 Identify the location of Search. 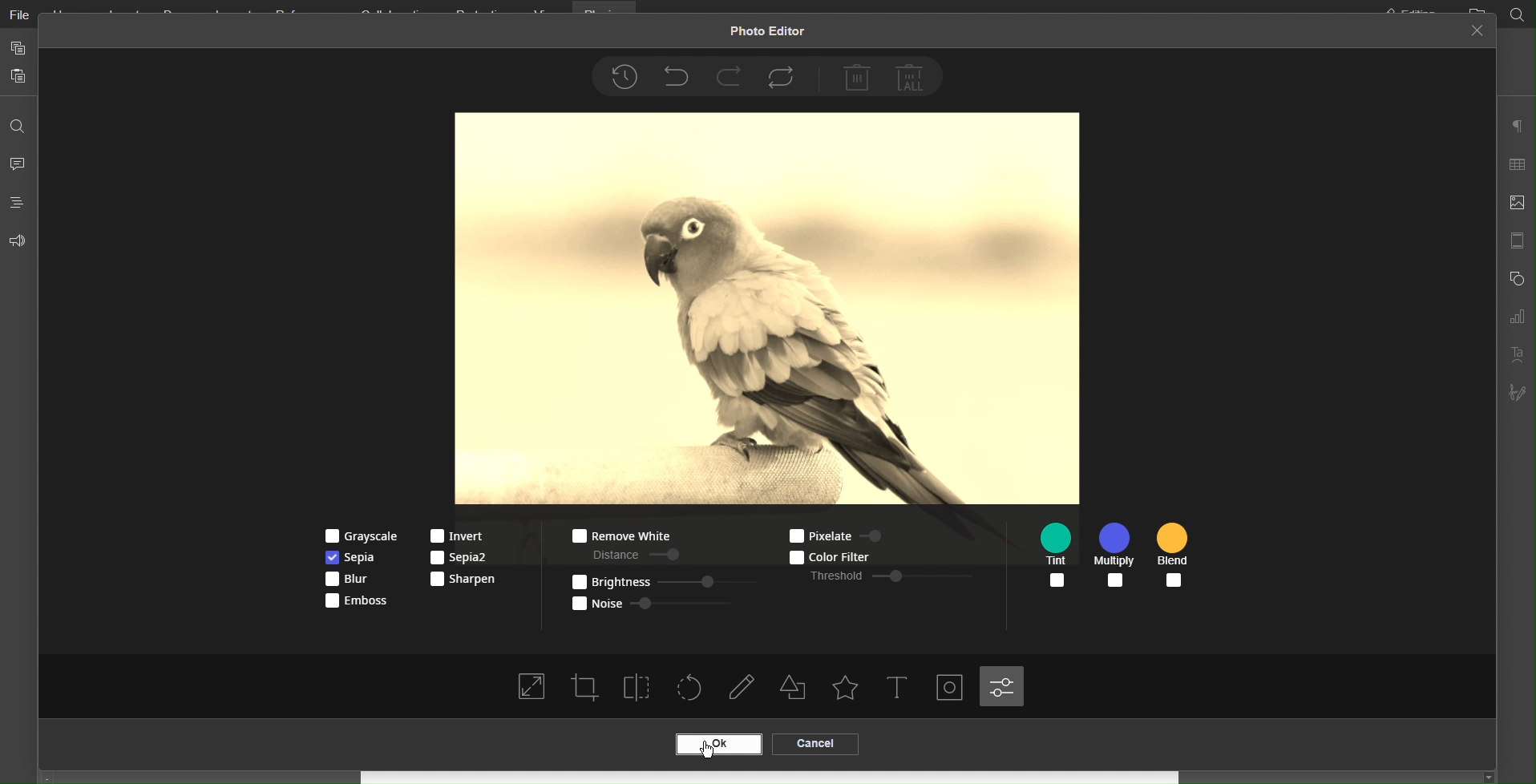
(18, 121).